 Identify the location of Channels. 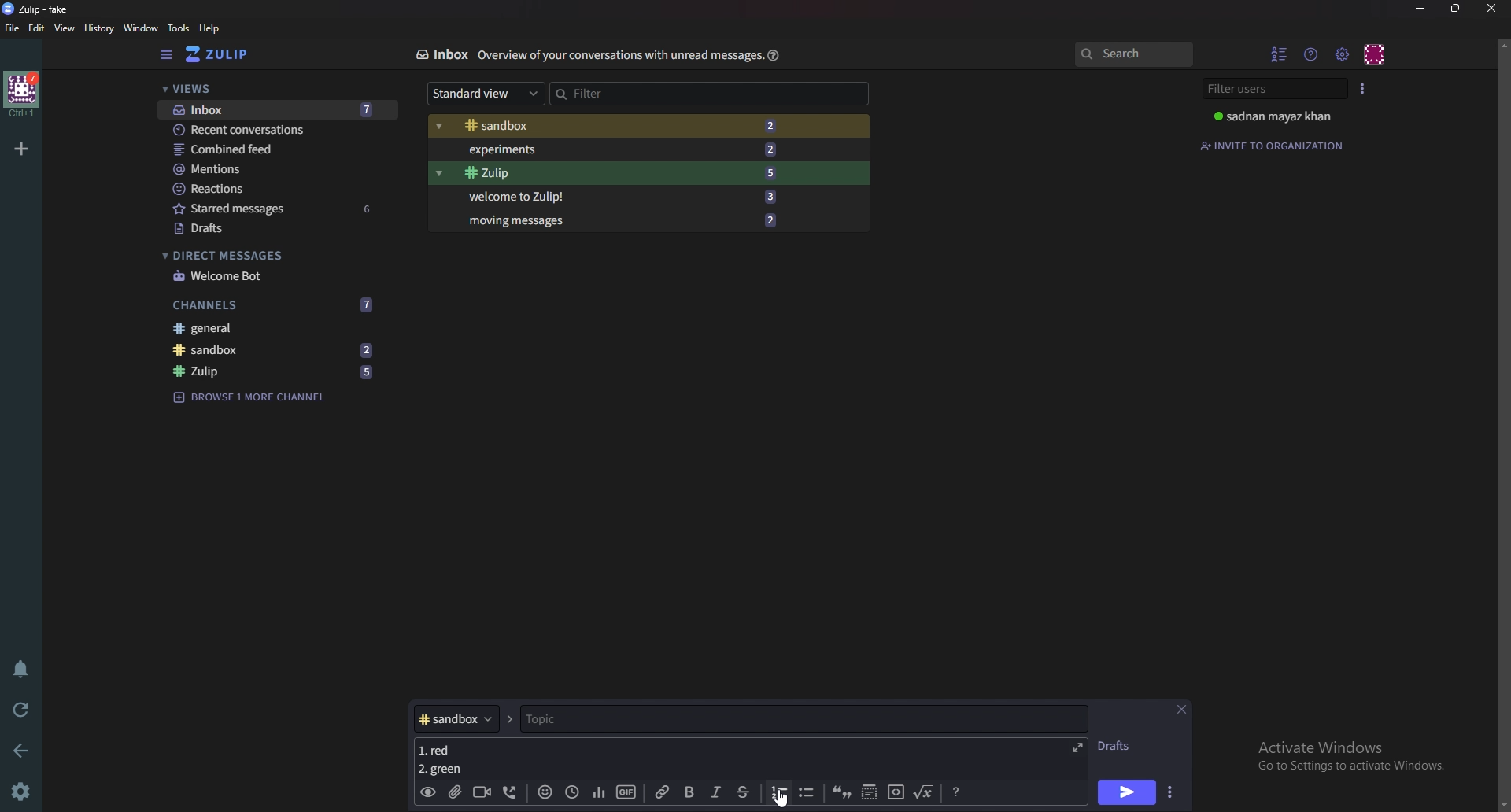
(276, 303).